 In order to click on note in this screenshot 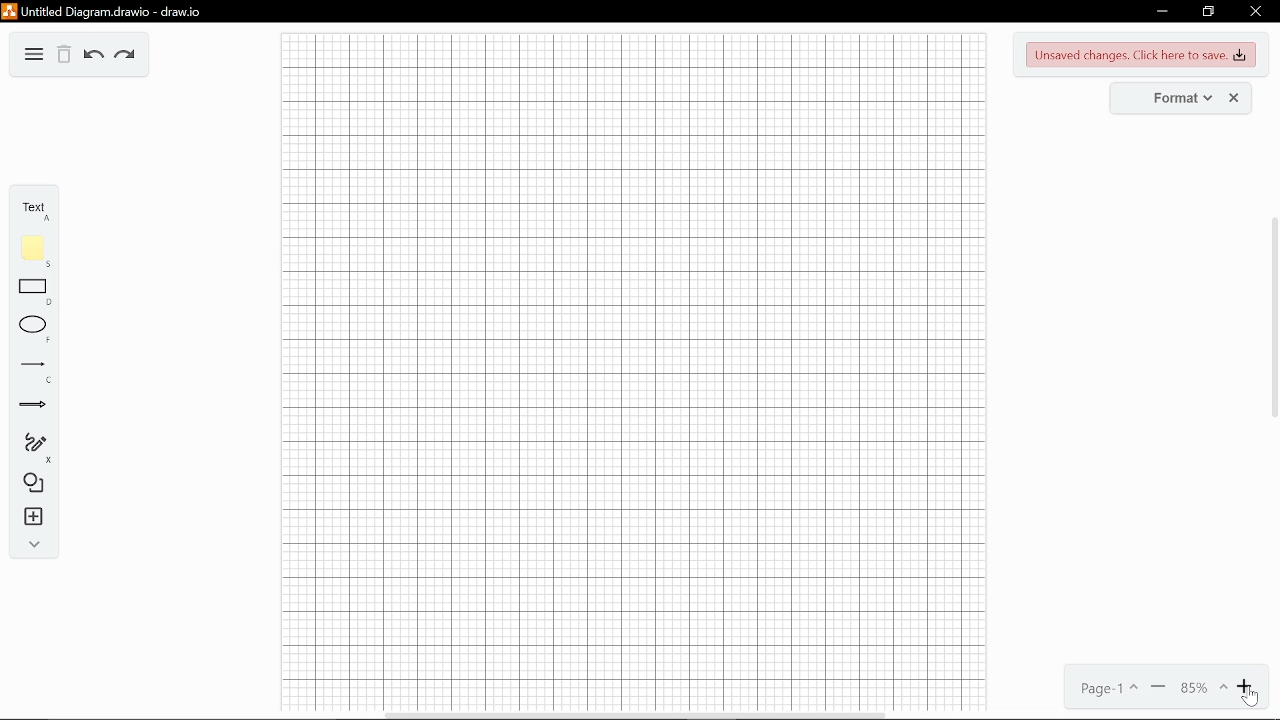, I will do `click(29, 254)`.